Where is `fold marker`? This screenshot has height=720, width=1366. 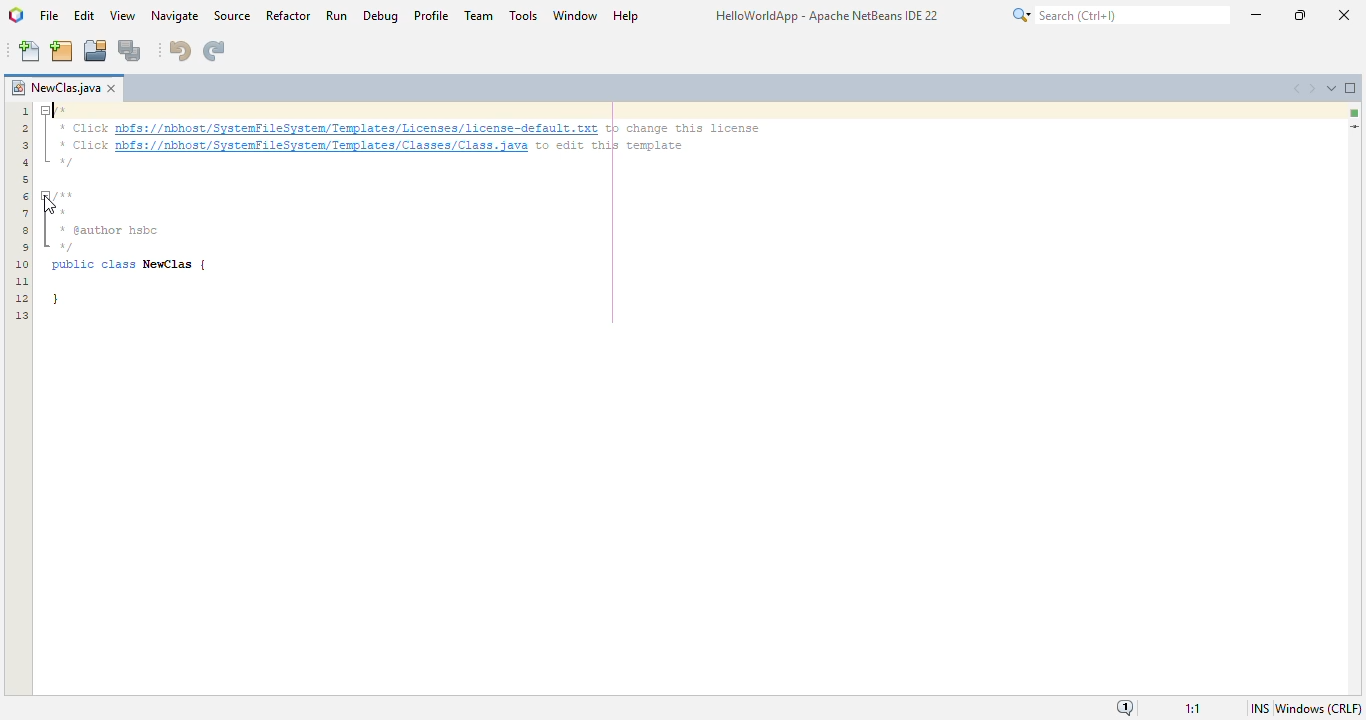
fold marker is located at coordinates (45, 133).